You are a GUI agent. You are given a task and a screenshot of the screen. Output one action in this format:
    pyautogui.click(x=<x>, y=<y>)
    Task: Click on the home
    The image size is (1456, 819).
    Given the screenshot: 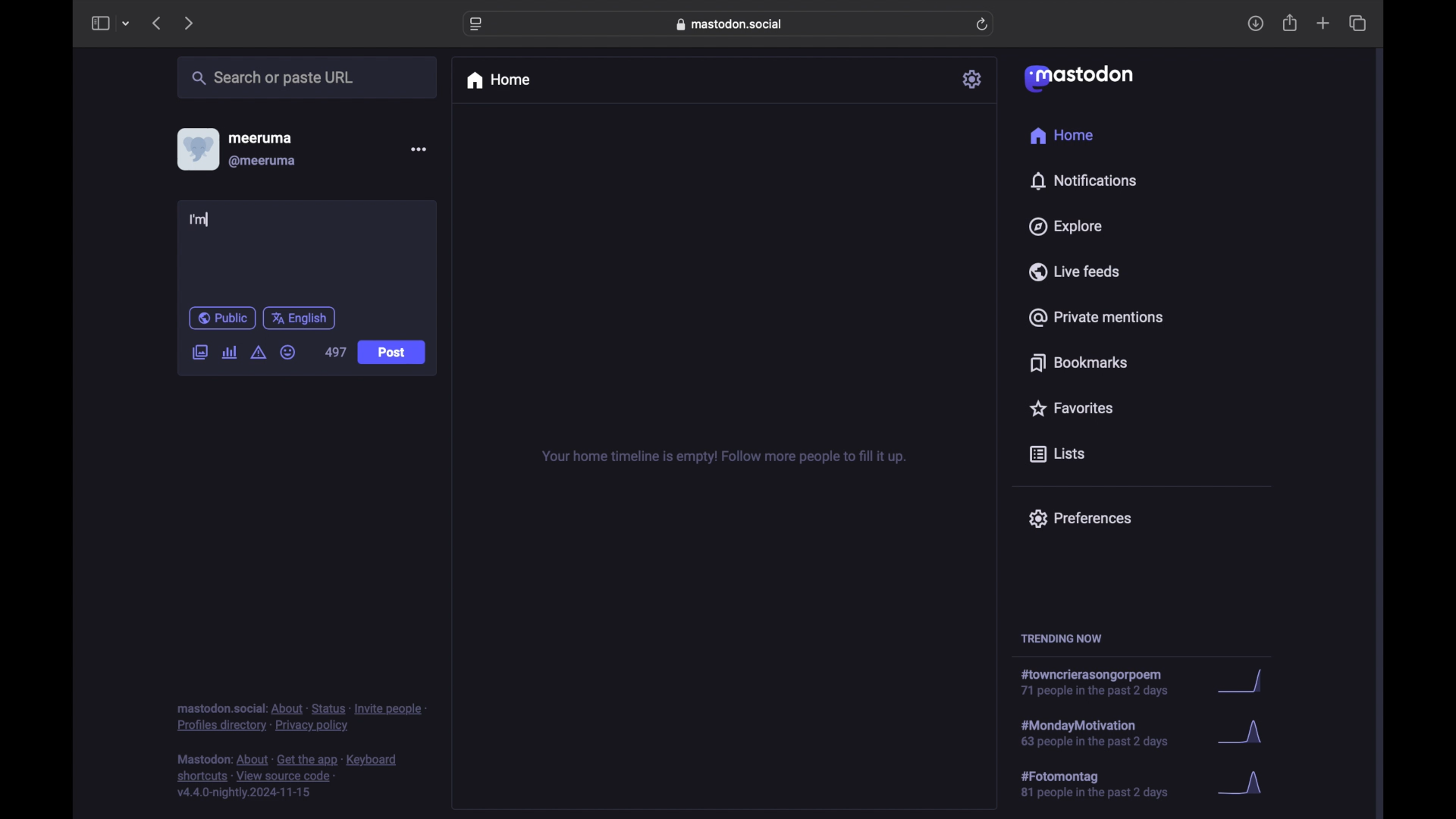 What is the action you would take?
    pyautogui.click(x=1063, y=135)
    